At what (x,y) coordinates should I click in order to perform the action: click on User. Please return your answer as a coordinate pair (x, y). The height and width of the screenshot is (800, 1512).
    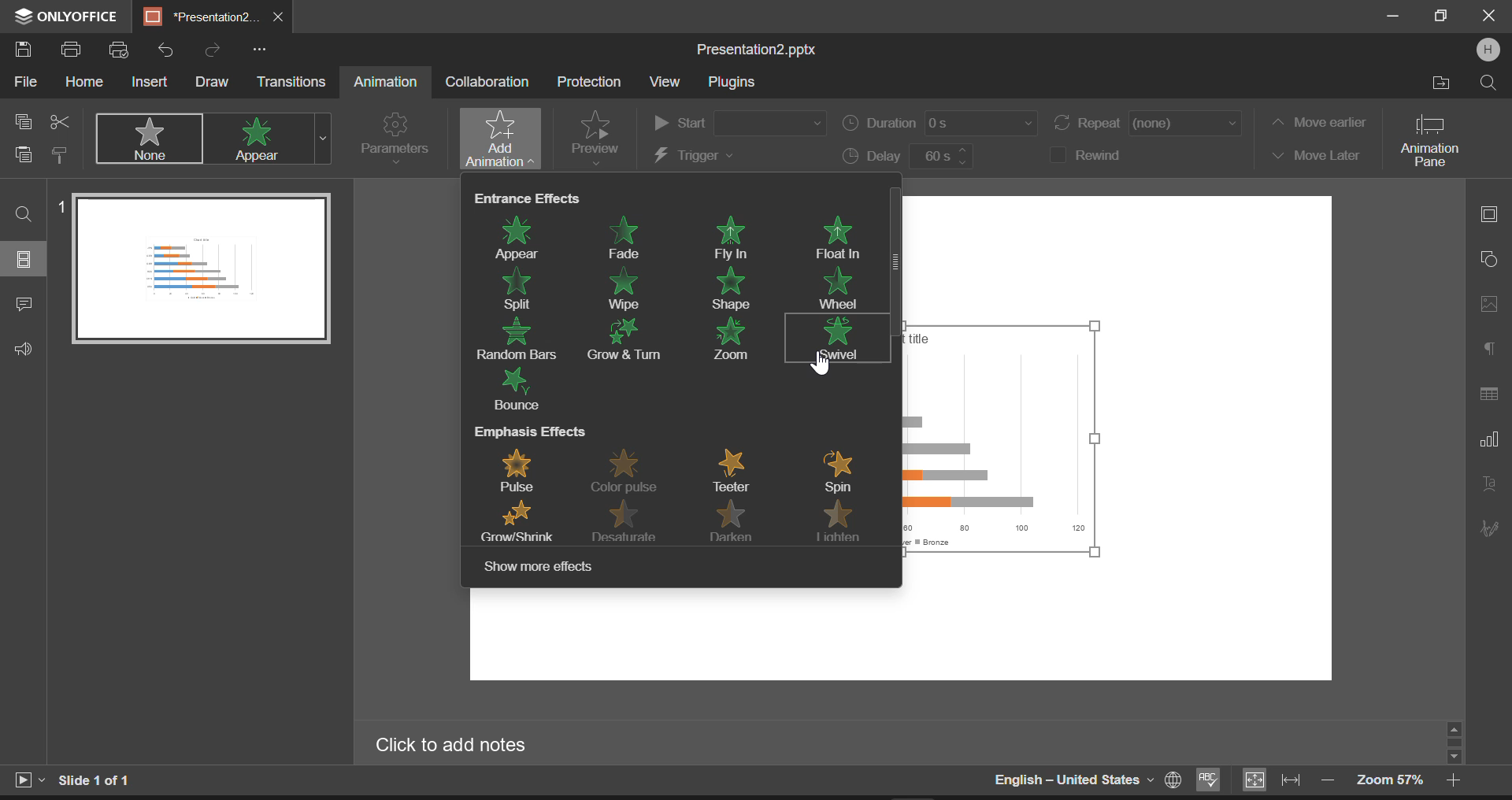
    Looking at the image, I should click on (1488, 50).